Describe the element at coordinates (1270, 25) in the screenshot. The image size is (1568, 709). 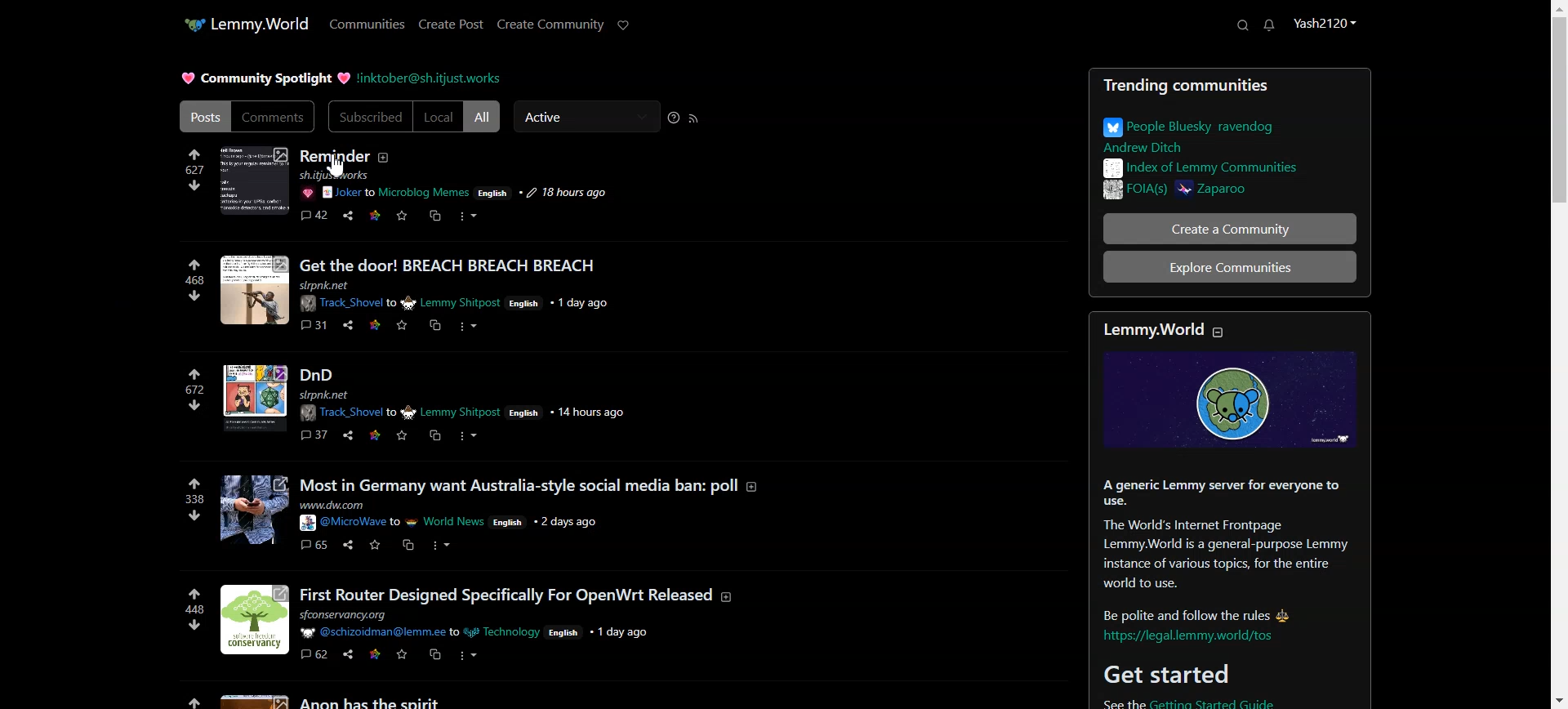
I see `Unread Messages` at that location.